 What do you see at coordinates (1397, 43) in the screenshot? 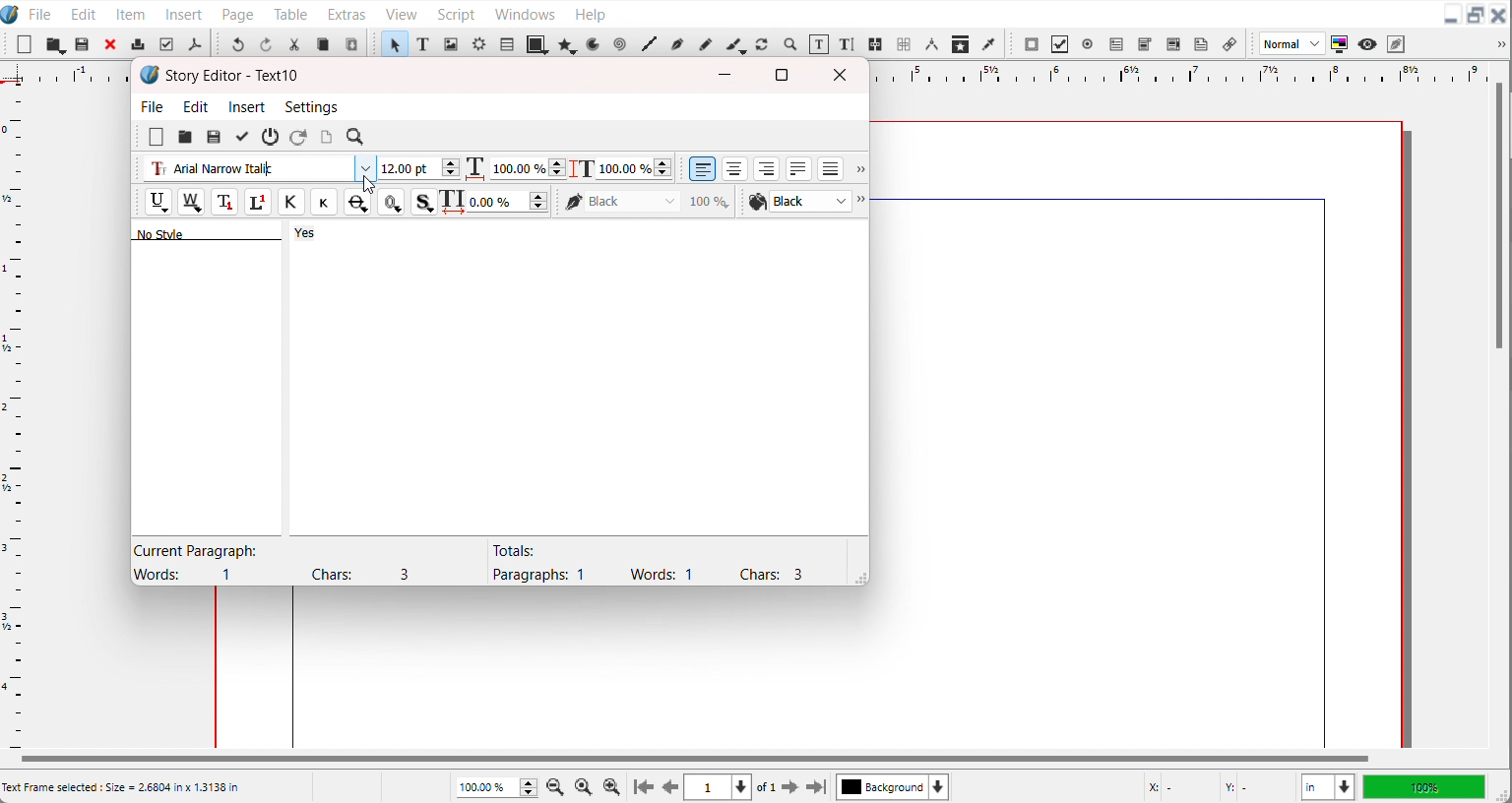
I see `Edit in preview mode` at bounding box center [1397, 43].